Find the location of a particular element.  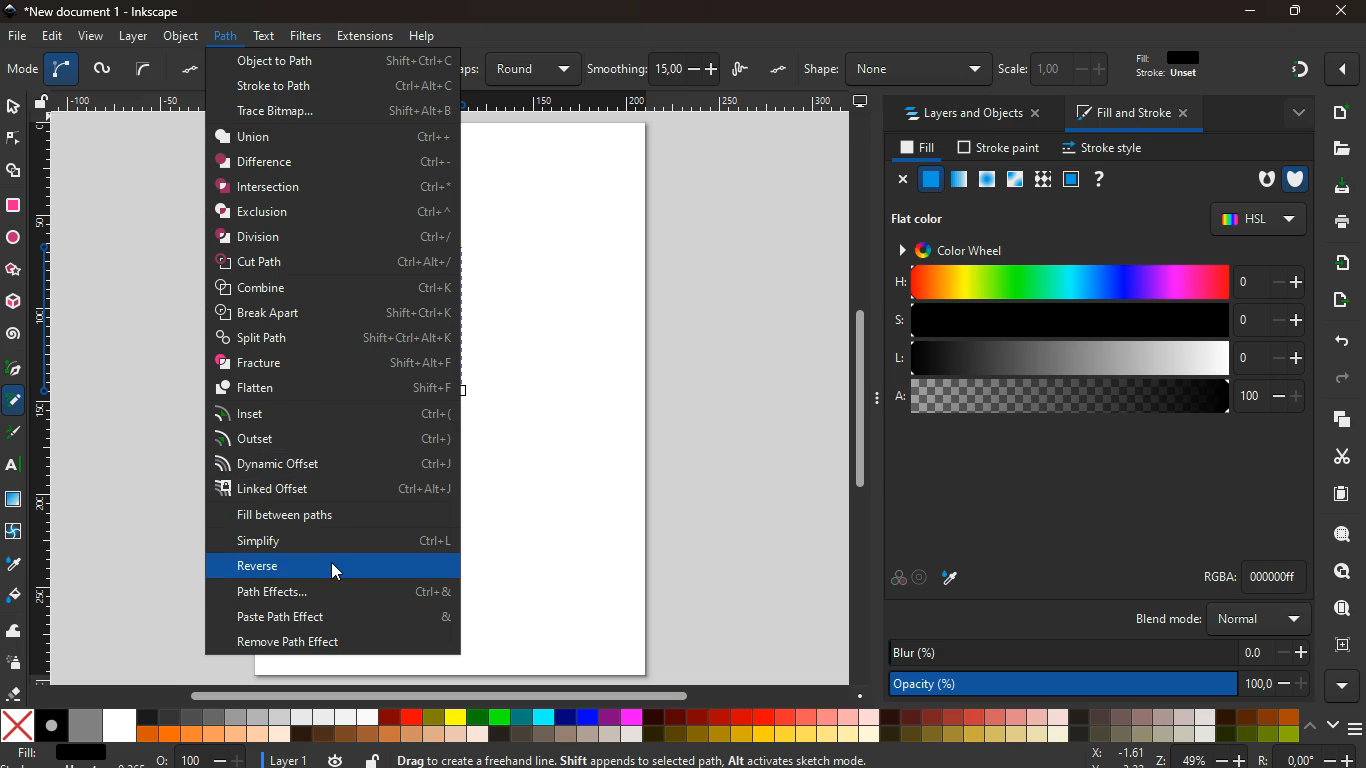

up is located at coordinates (1312, 724).